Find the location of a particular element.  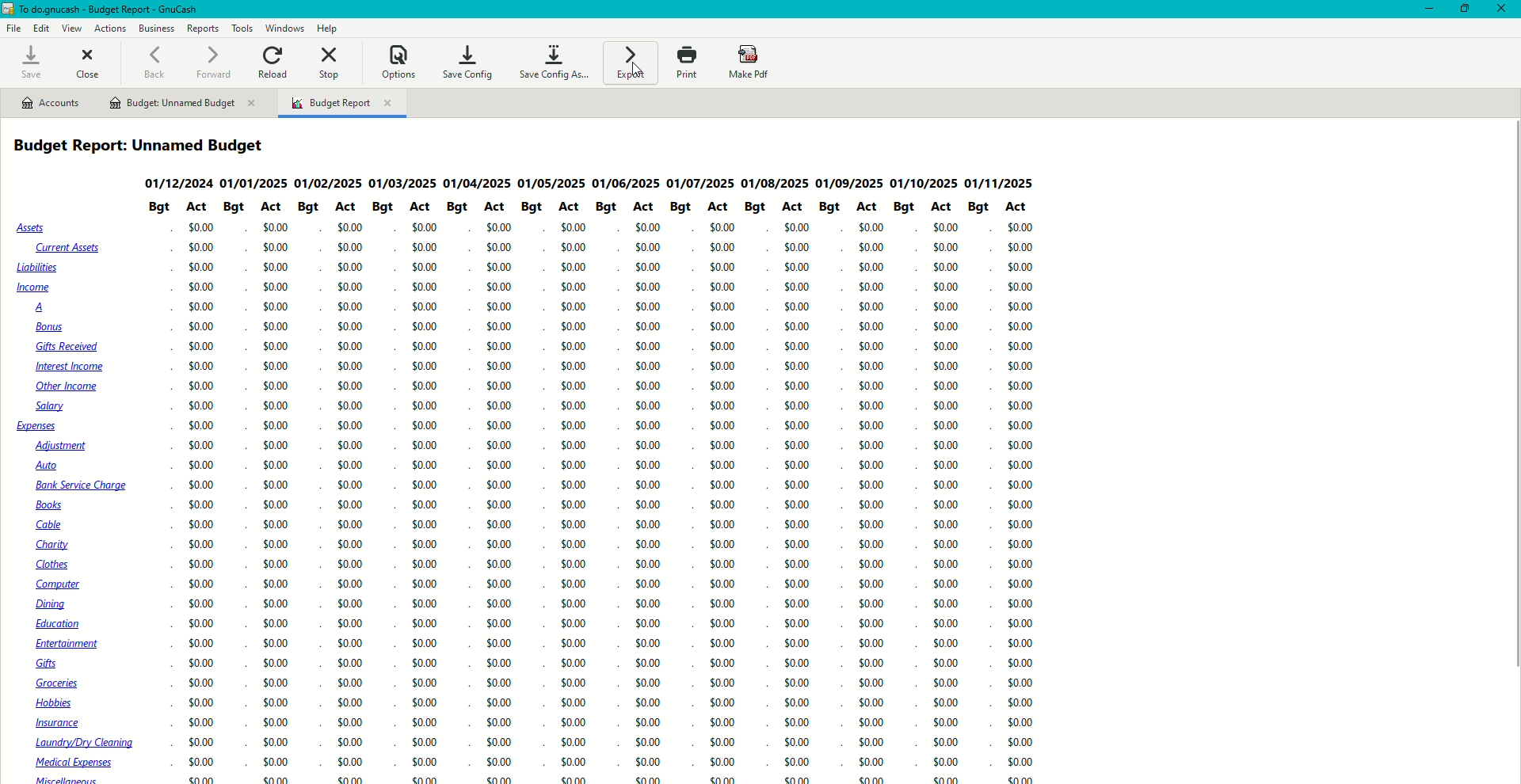

$0.00 is located at coordinates (424, 565).